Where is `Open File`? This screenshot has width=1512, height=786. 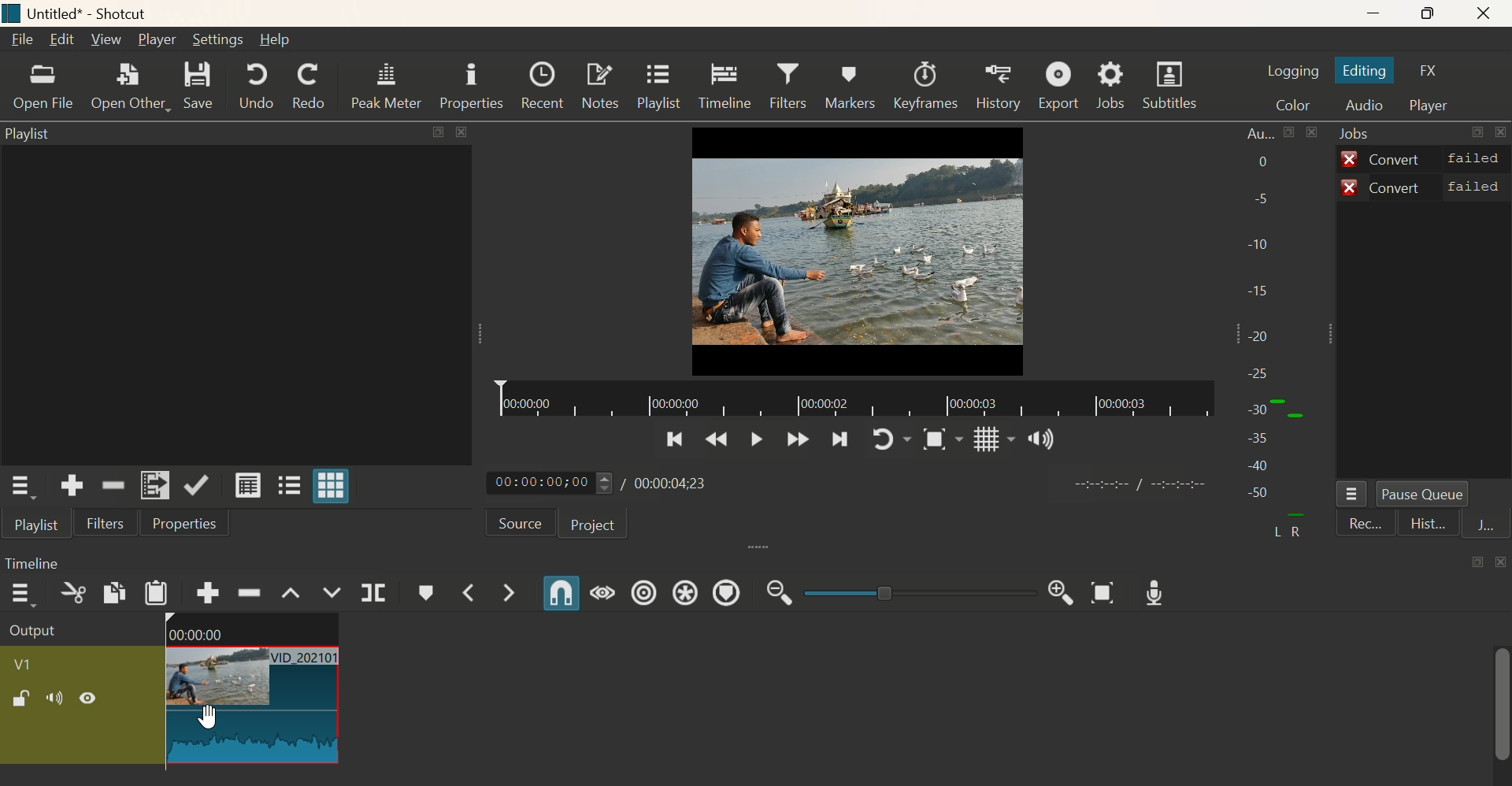 Open File is located at coordinates (41, 91).